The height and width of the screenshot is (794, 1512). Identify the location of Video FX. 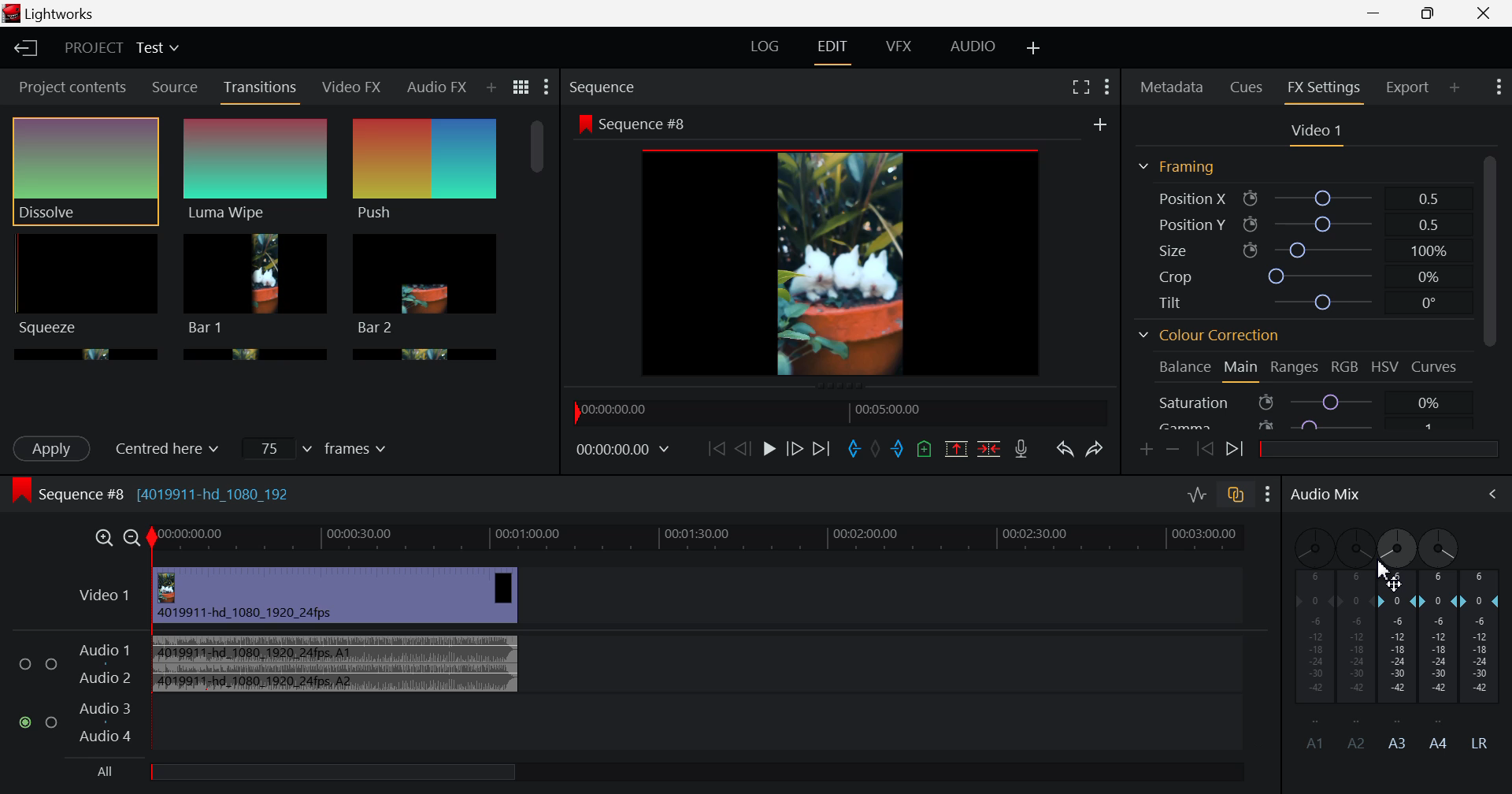
(350, 89).